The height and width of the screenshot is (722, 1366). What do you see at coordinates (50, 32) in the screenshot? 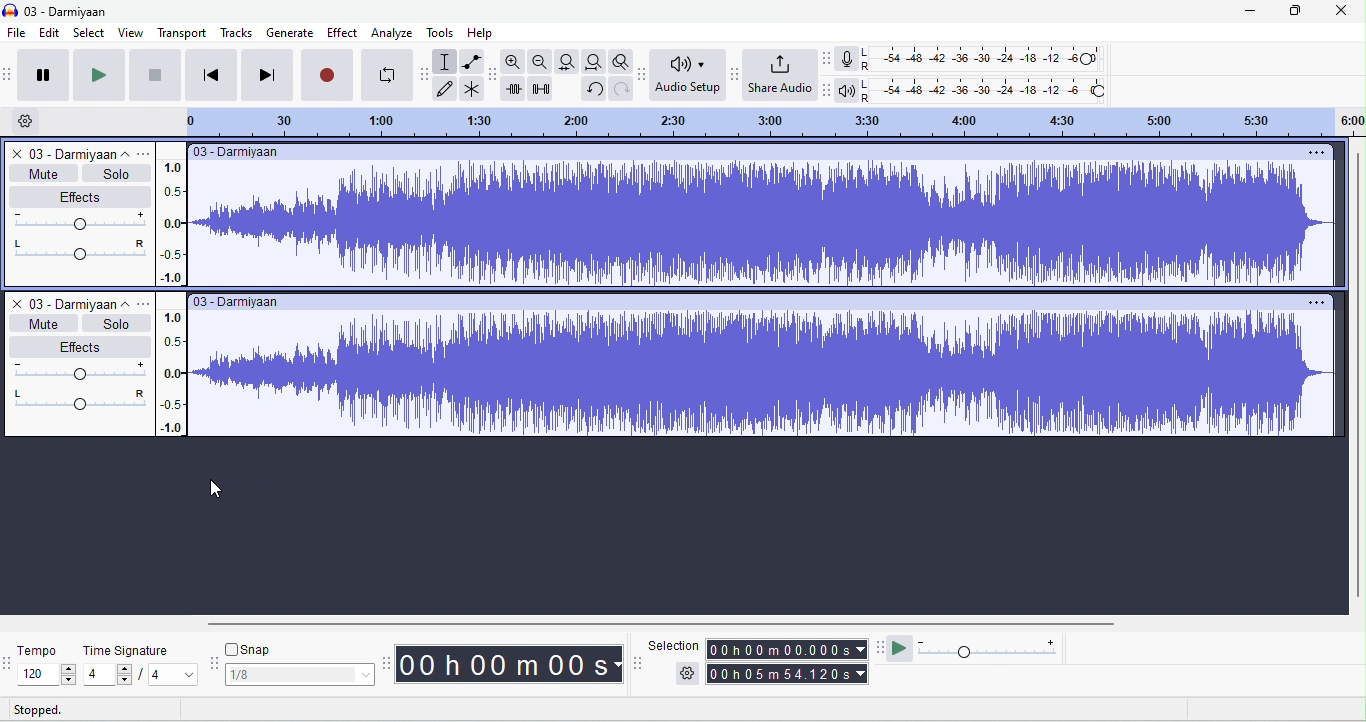
I see `edit` at bounding box center [50, 32].